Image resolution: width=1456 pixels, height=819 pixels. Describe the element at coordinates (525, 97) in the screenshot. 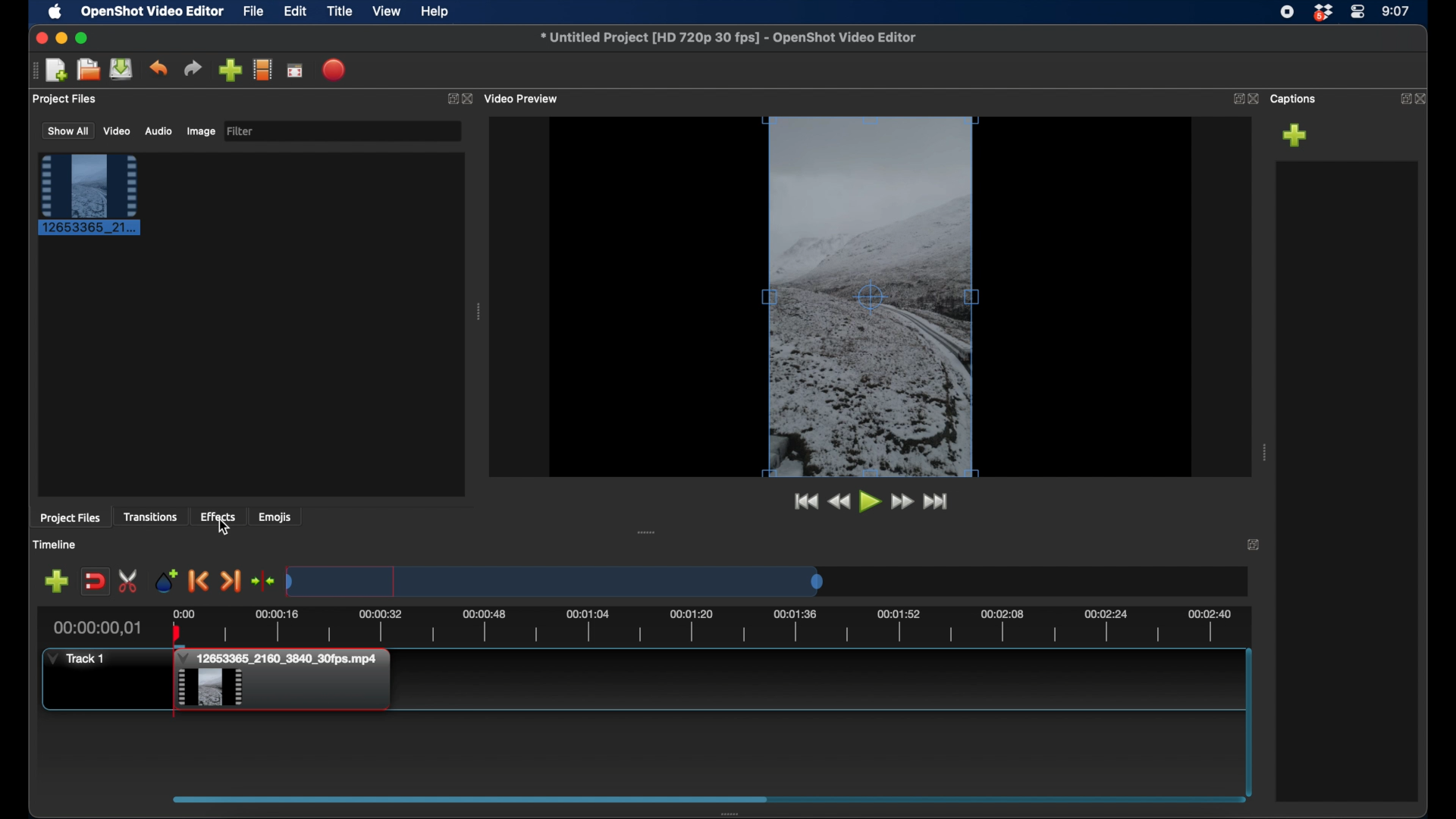

I see `video preview` at that location.